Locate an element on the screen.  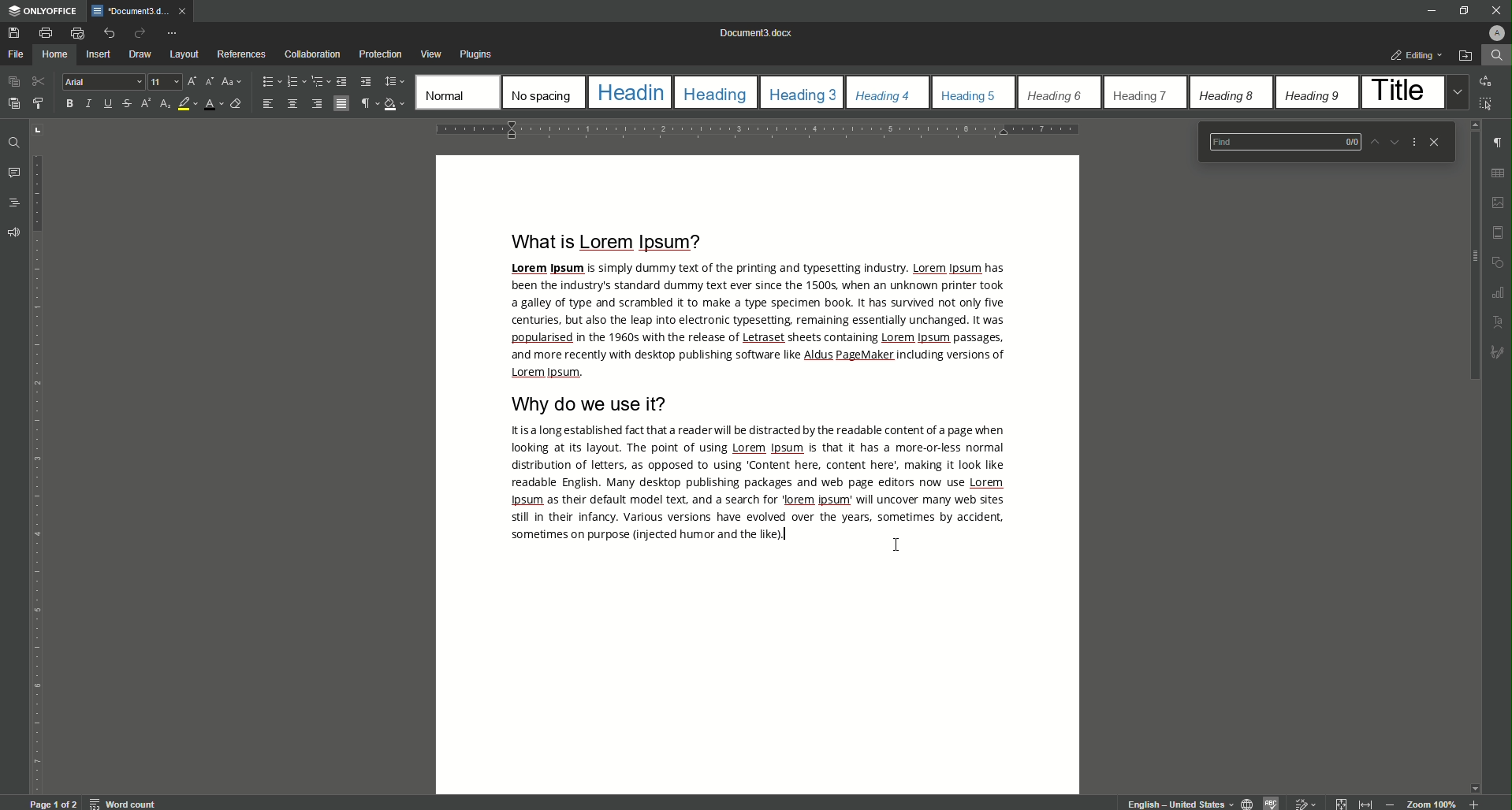
Heading 8 is located at coordinates (1227, 94).